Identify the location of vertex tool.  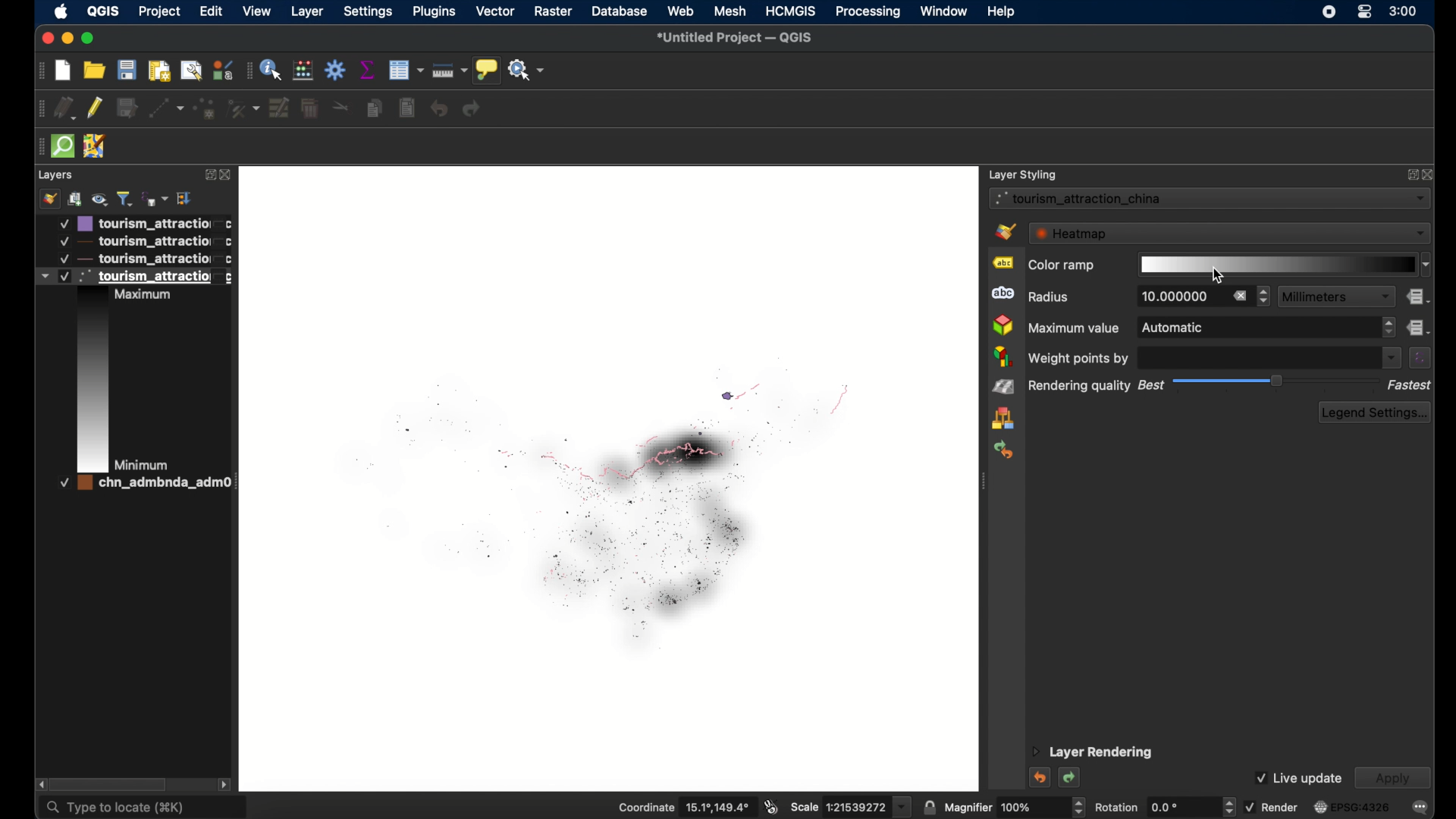
(243, 108).